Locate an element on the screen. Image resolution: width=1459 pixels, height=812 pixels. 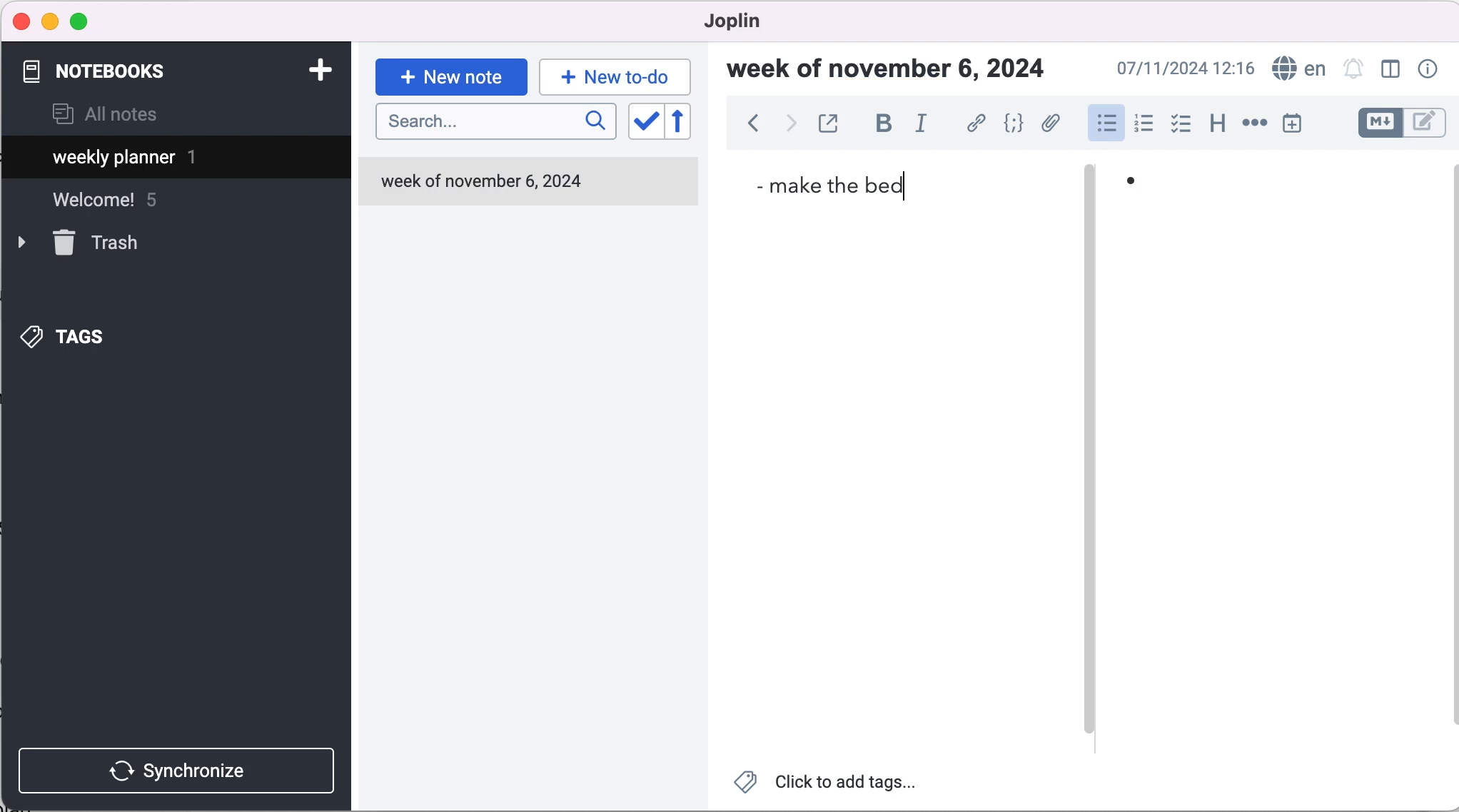
new note is located at coordinates (451, 76).